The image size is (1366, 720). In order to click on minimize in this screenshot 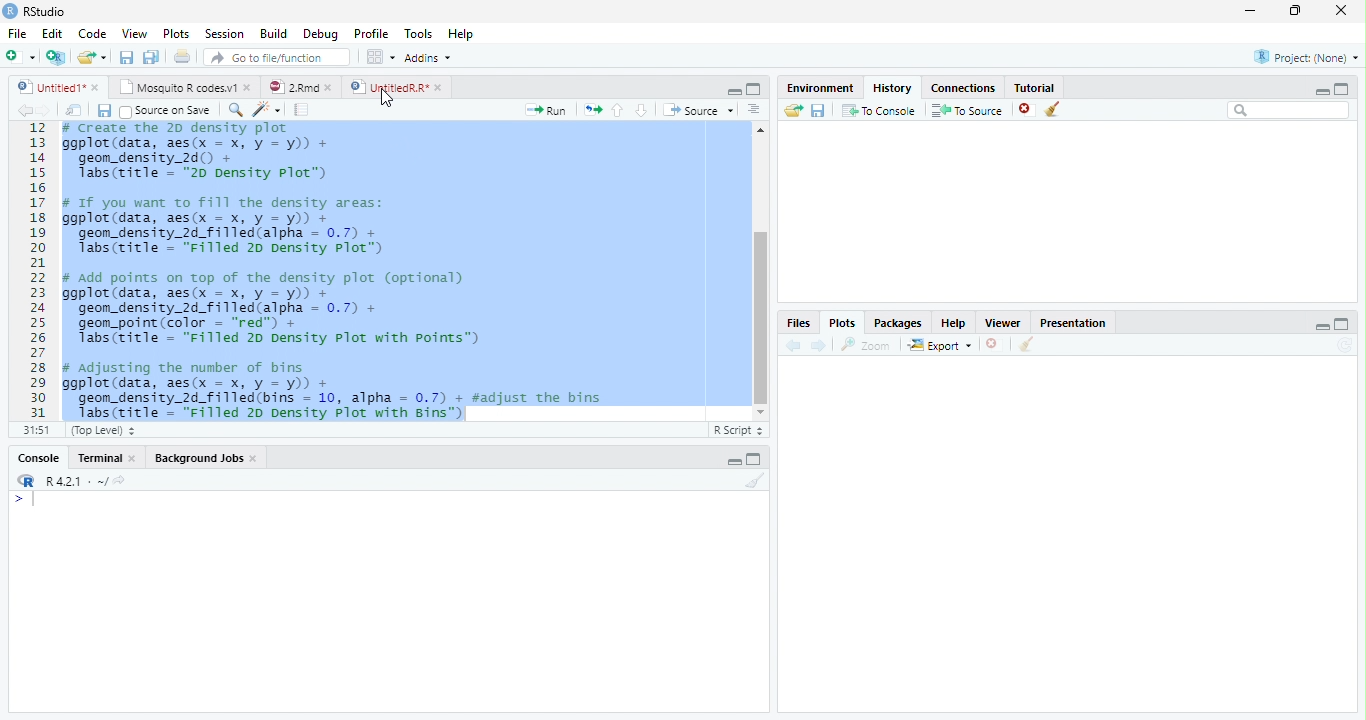, I will do `click(1249, 12)`.